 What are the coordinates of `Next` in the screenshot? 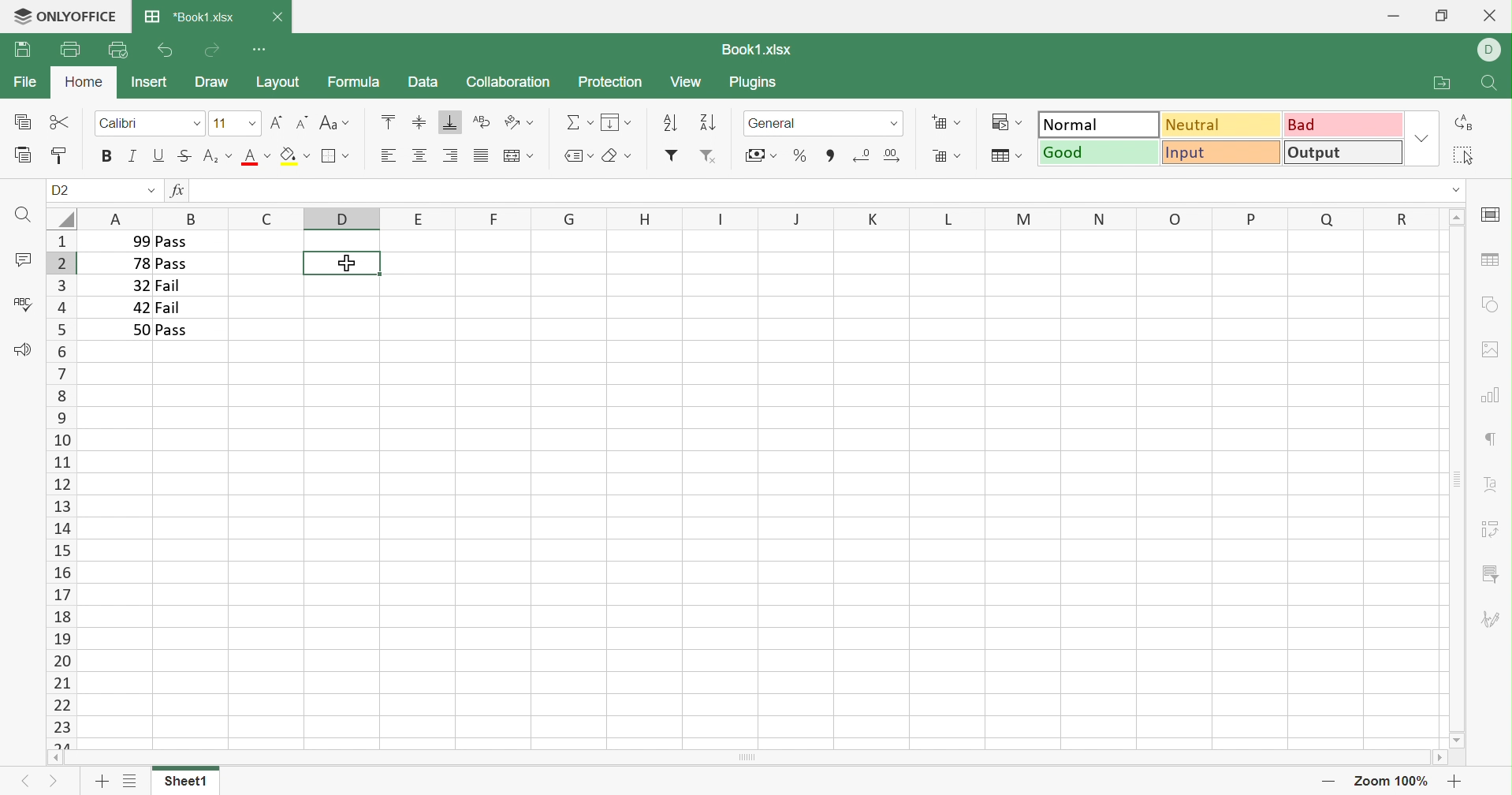 It's located at (24, 782).